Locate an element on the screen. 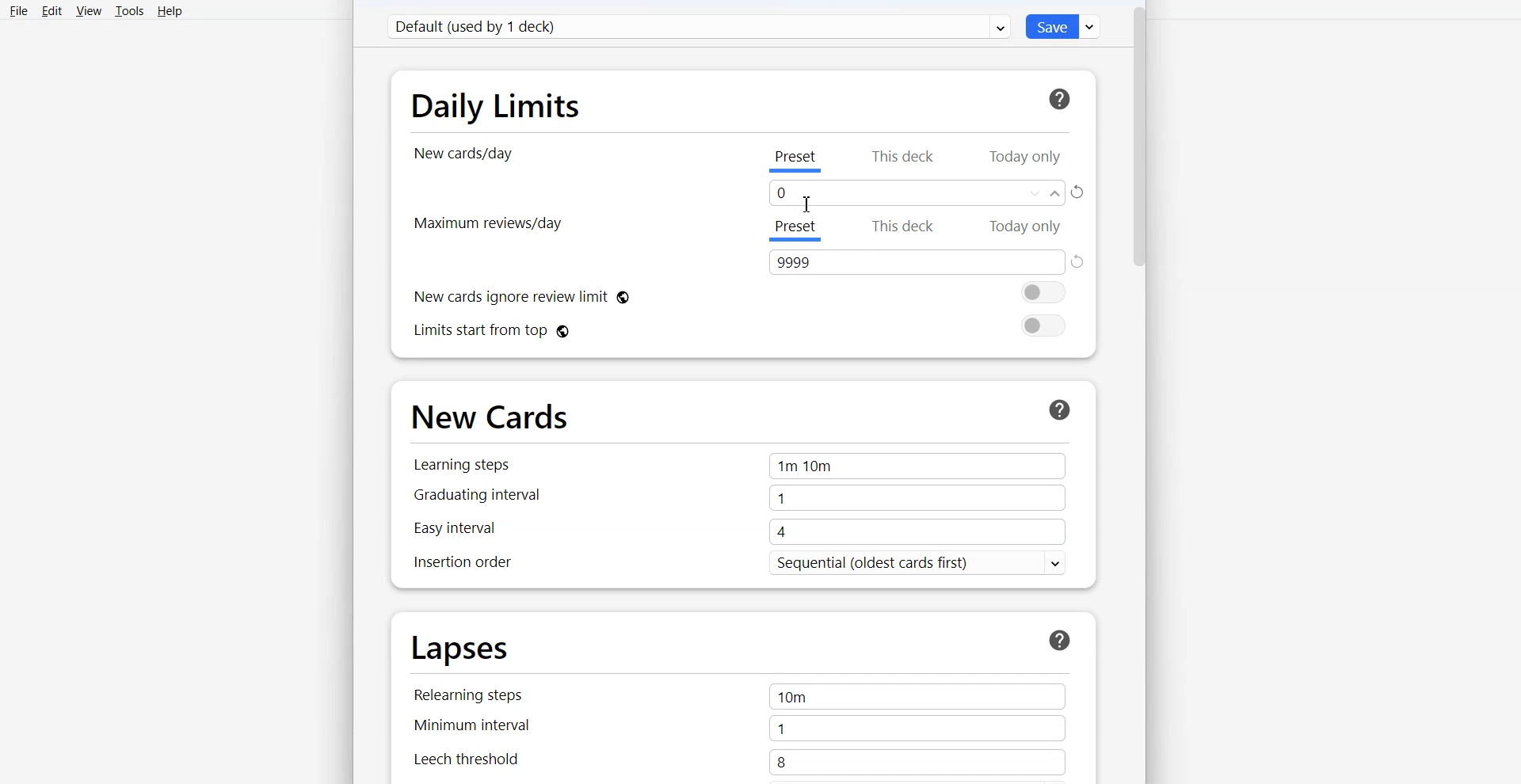 The height and width of the screenshot is (784, 1521). 1 is located at coordinates (915, 499).